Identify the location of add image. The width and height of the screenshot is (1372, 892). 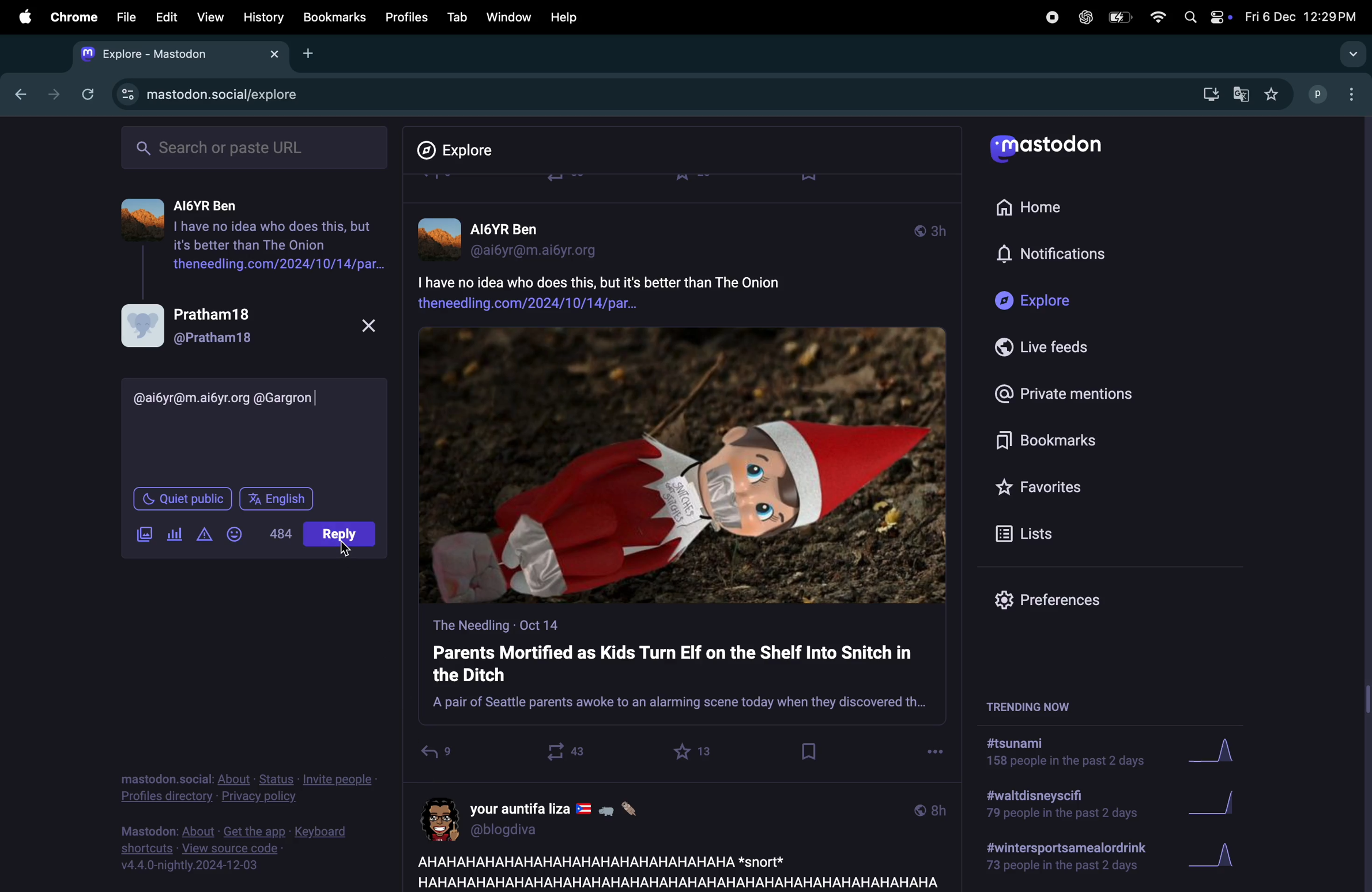
(144, 532).